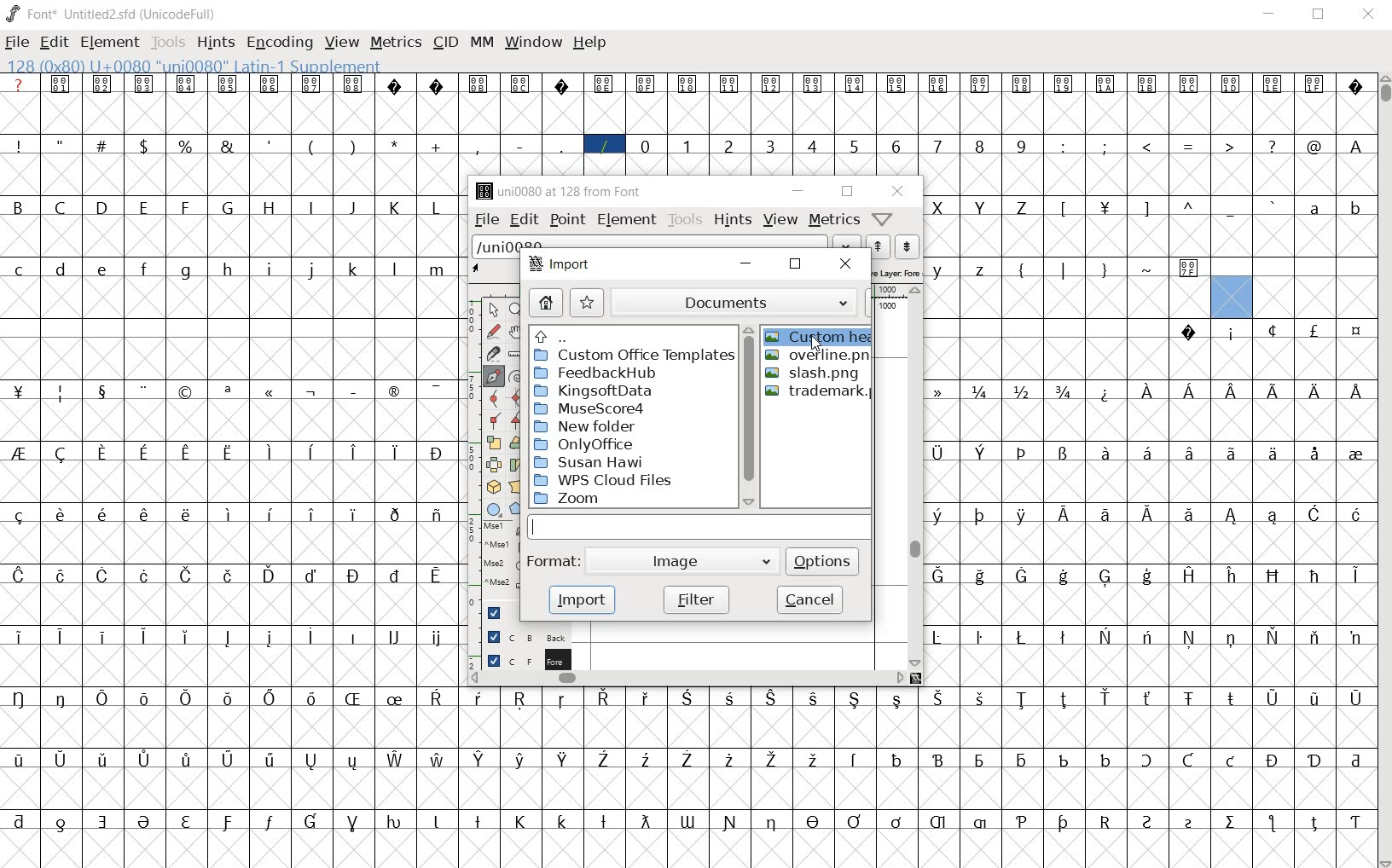 This screenshot has height=868, width=1392. What do you see at coordinates (898, 760) in the screenshot?
I see `glyph` at bounding box center [898, 760].